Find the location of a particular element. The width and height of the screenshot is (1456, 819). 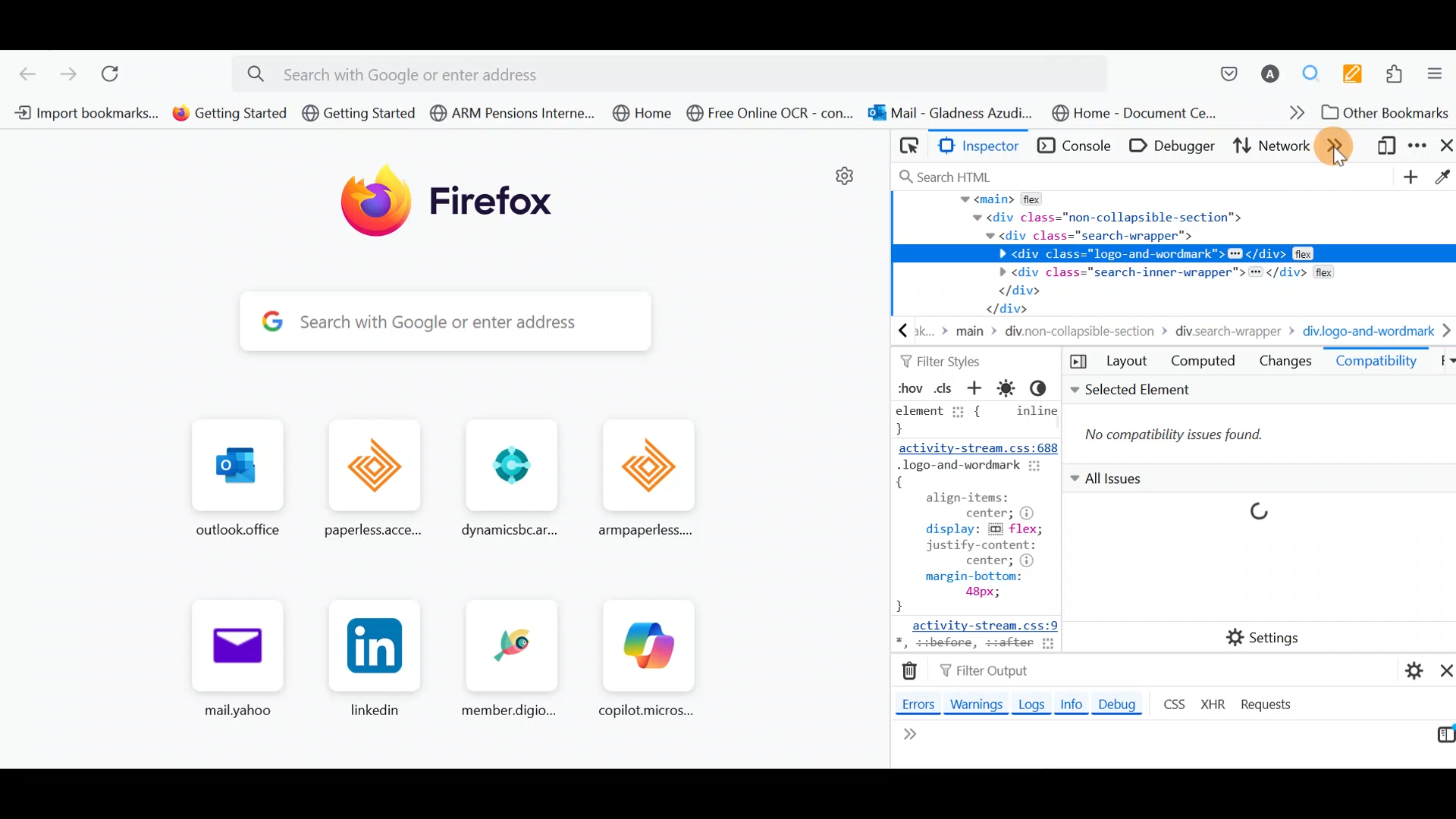

Info is located at coordinates (1071, 707).